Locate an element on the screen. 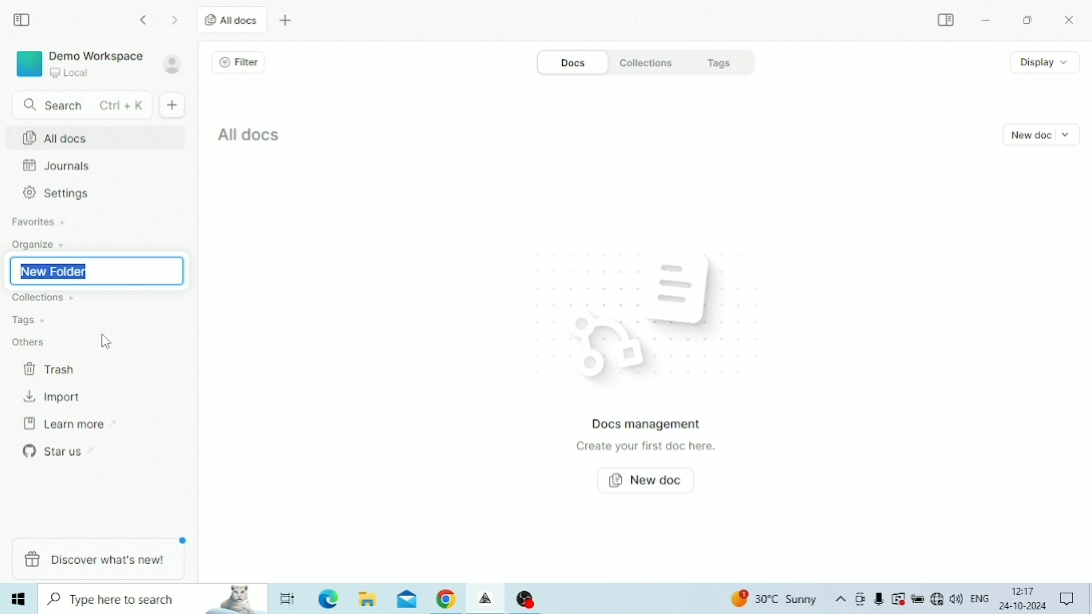  New Folder is located at coordinates (97, 271).